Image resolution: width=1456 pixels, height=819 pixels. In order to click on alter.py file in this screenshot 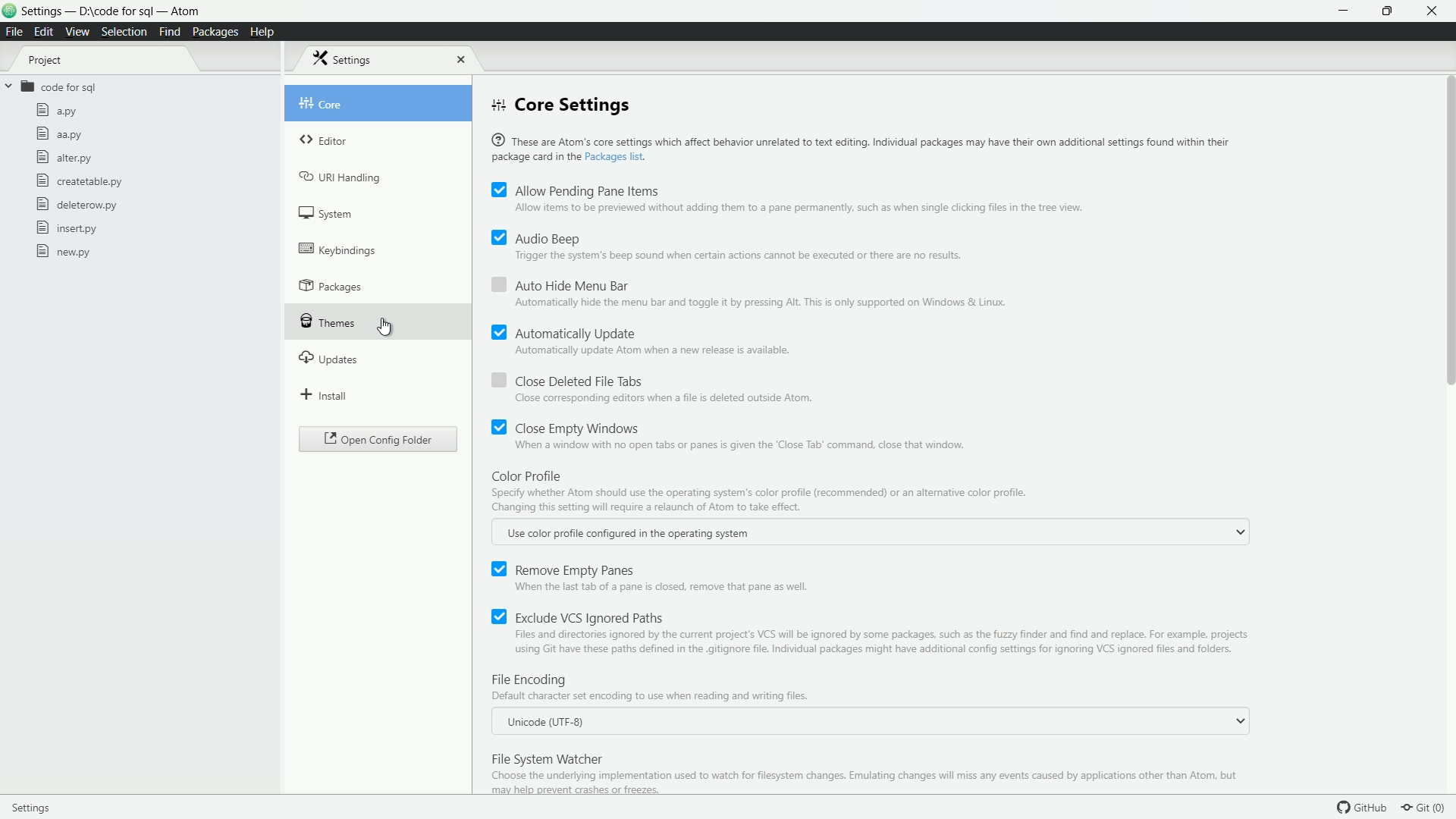, I will do `click(63, 157)`.